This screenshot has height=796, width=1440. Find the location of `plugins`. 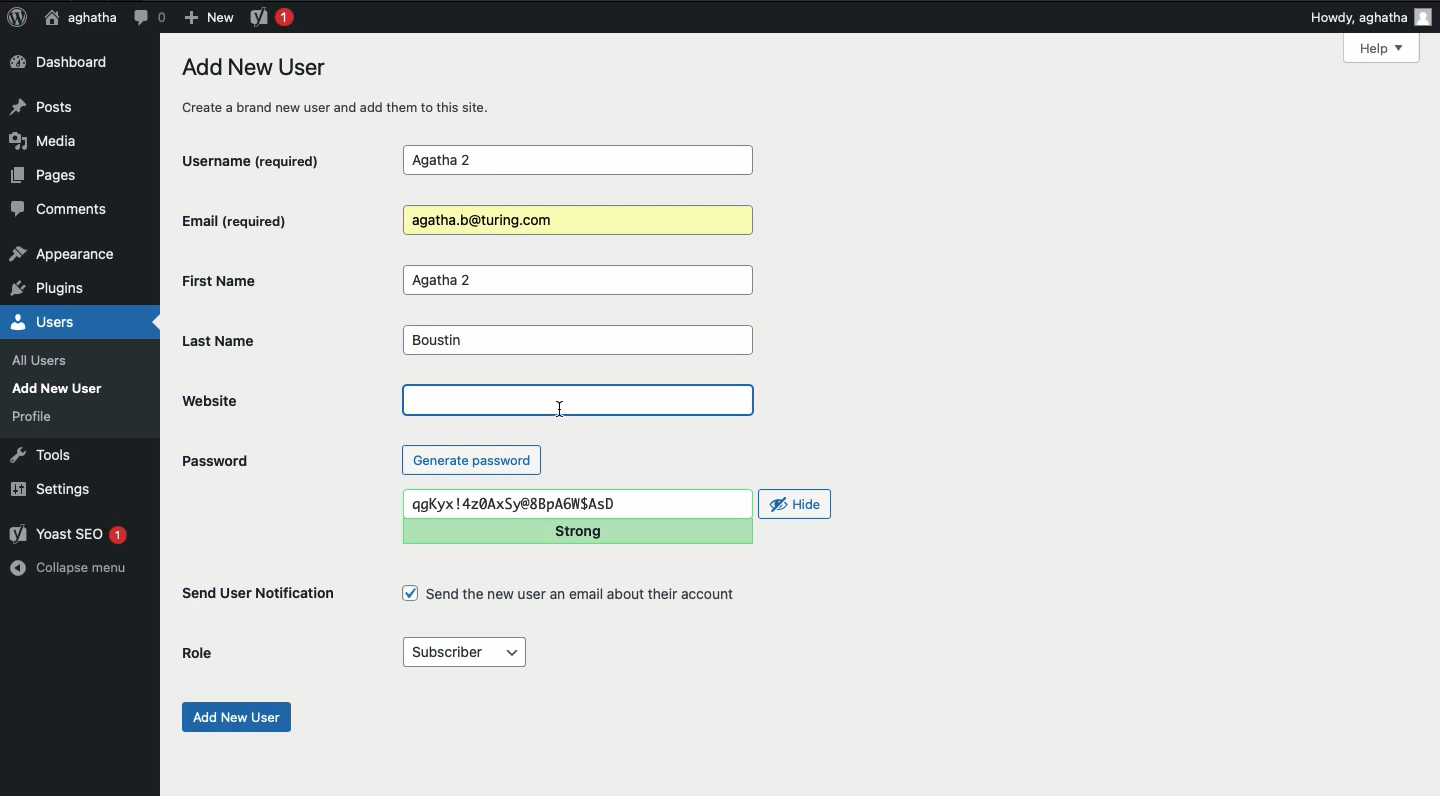

plugins is located at coordinates (58, 289).